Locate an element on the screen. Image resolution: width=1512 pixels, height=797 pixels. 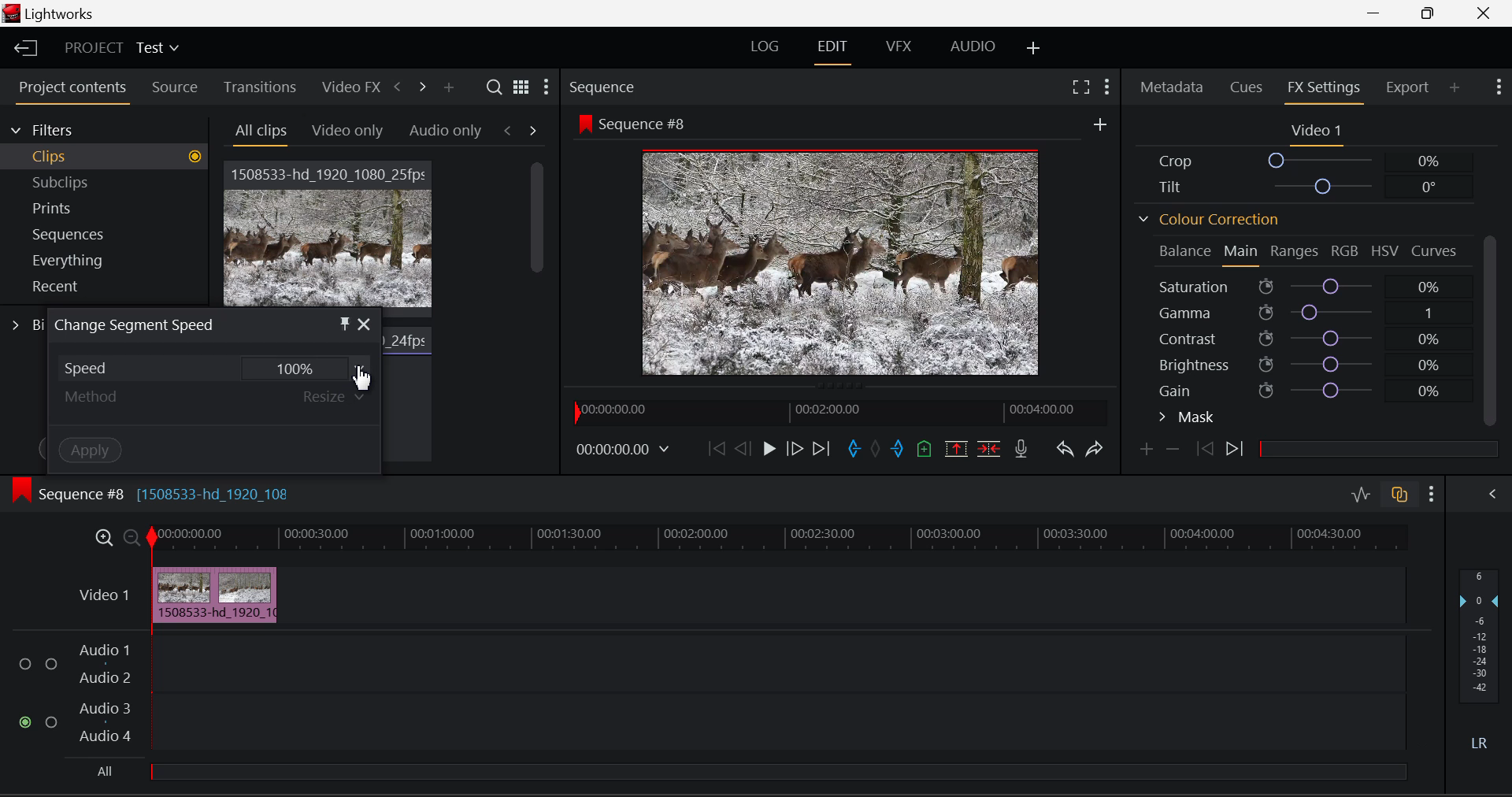
Resize is located at coordinates (335, 395).